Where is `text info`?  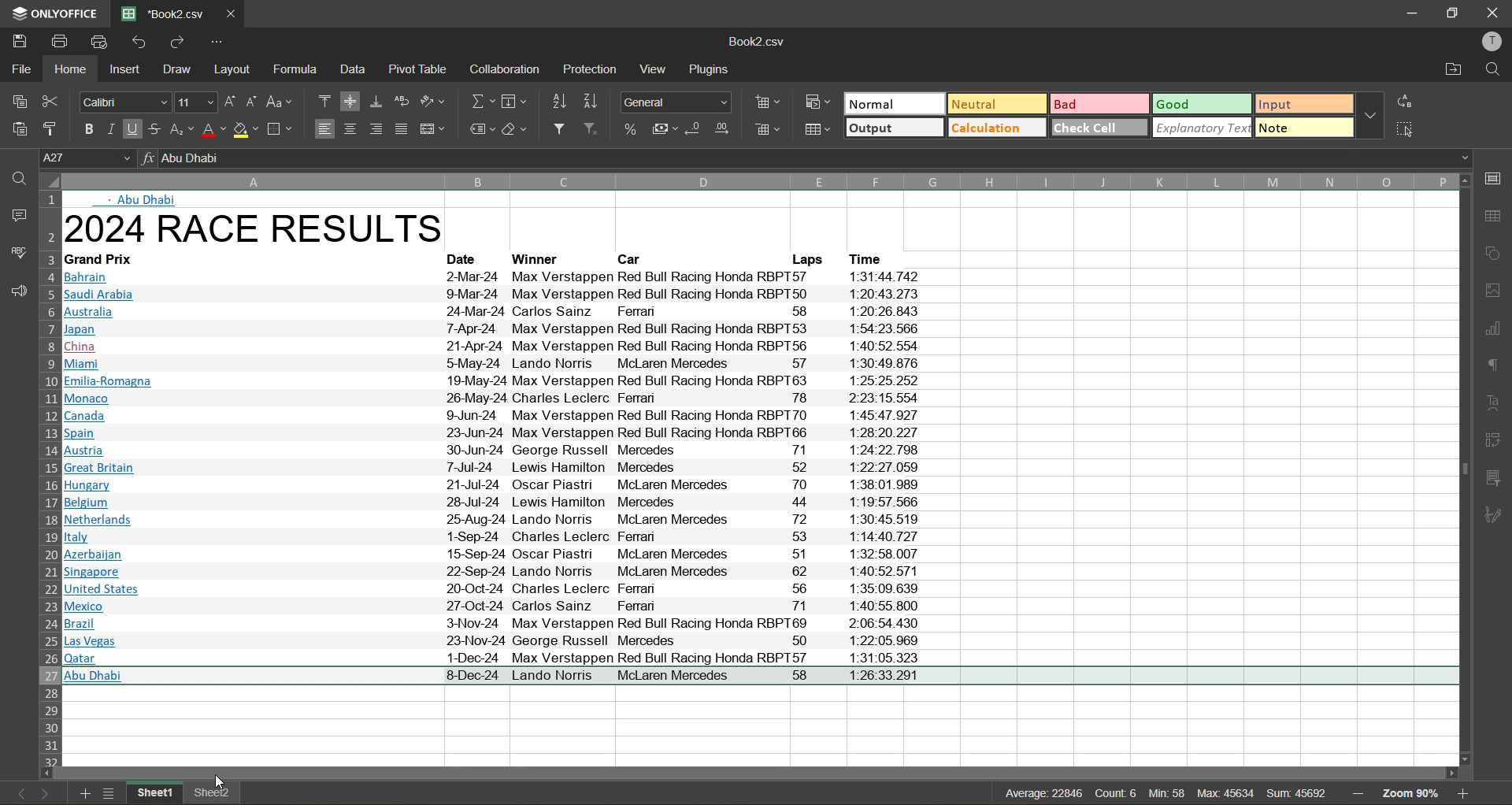 text info is located at coordinates (496, 363).